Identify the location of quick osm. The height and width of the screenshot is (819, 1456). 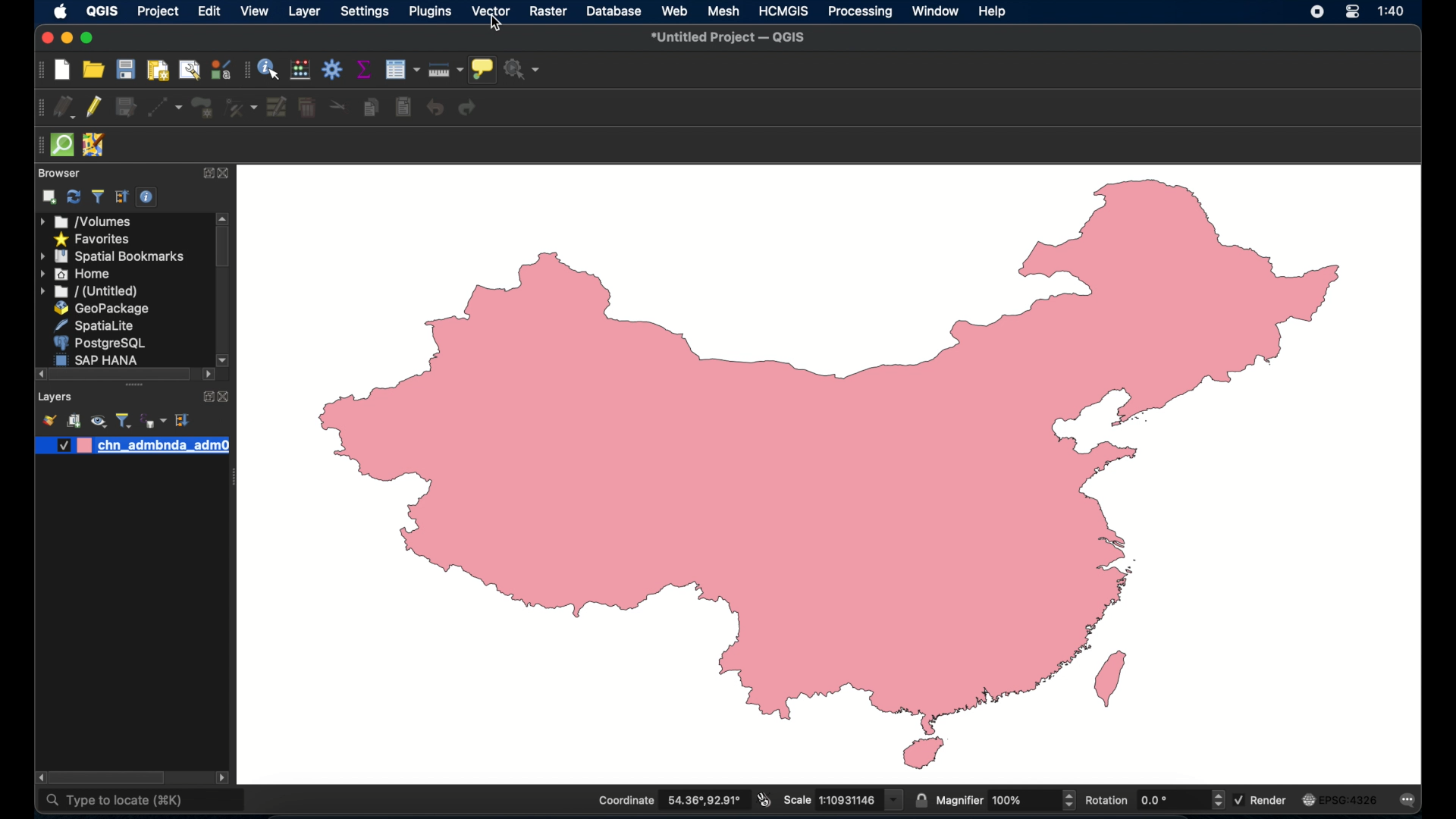
(64, 146).